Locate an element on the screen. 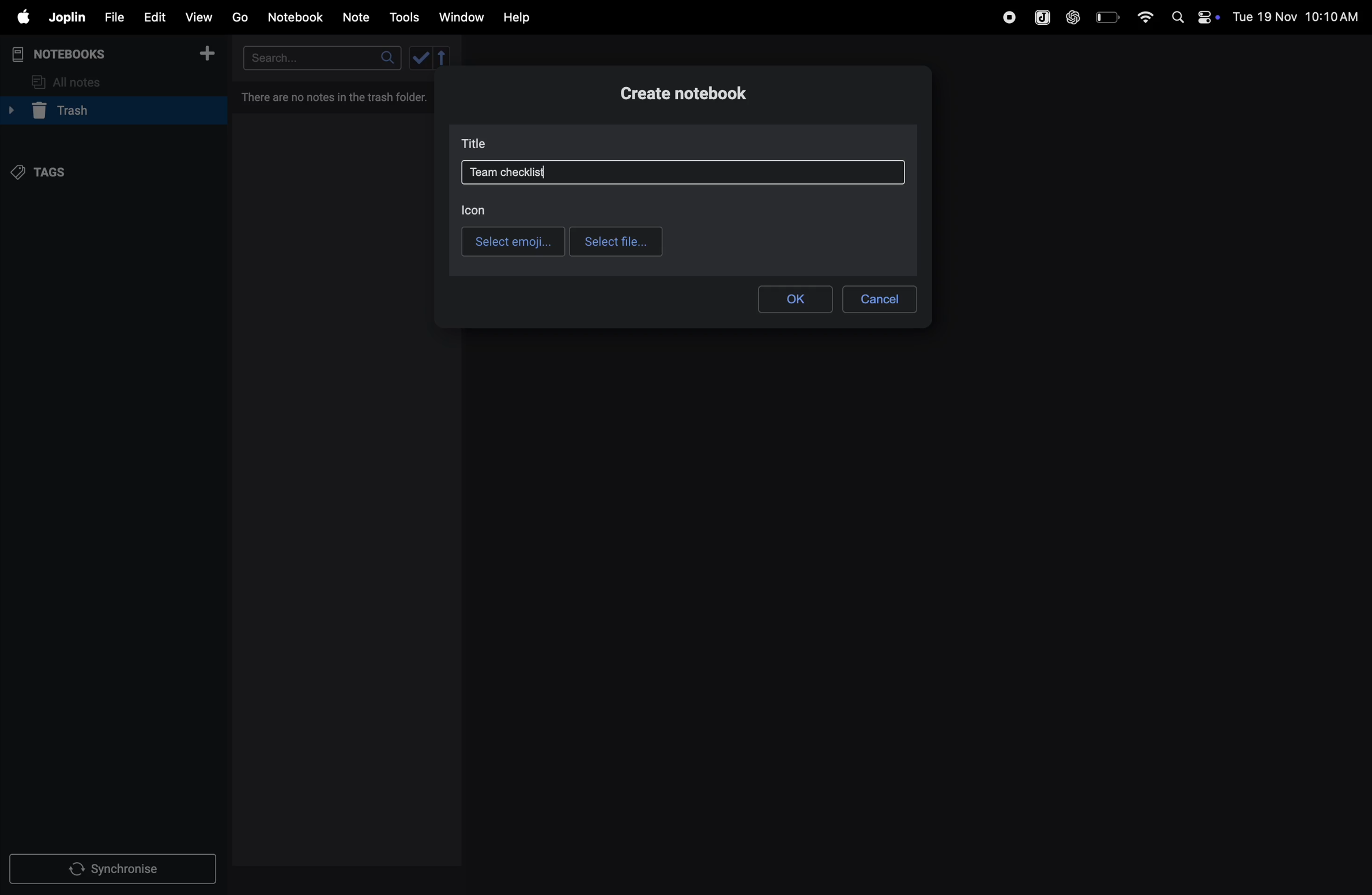 The image size is (1372, 895). ok is located at coordinates (796, 297).